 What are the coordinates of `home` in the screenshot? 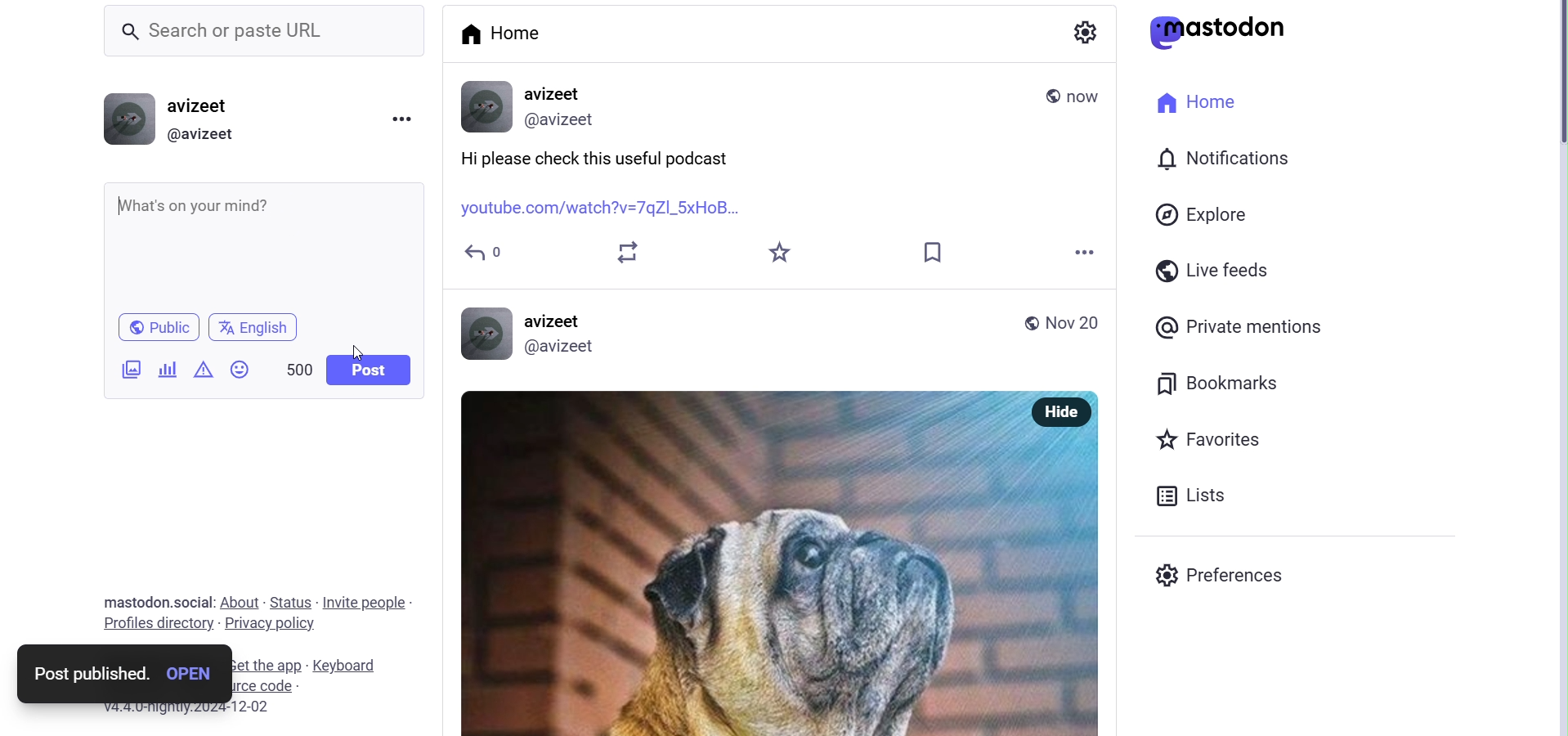 It's located at (503, 32).